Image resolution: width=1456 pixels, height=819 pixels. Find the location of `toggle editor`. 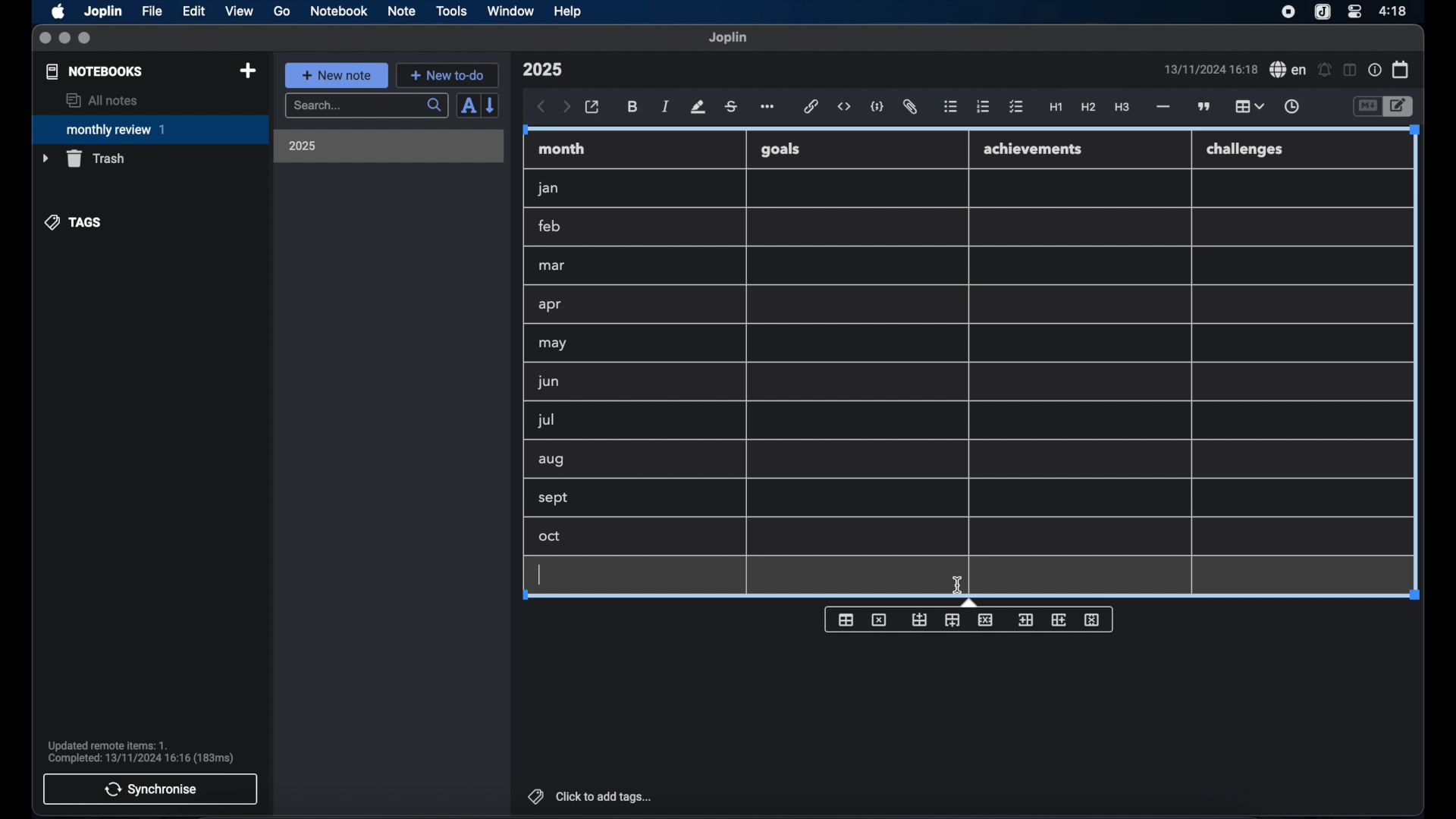

toggle editor is located at coordinates (1367, 107).